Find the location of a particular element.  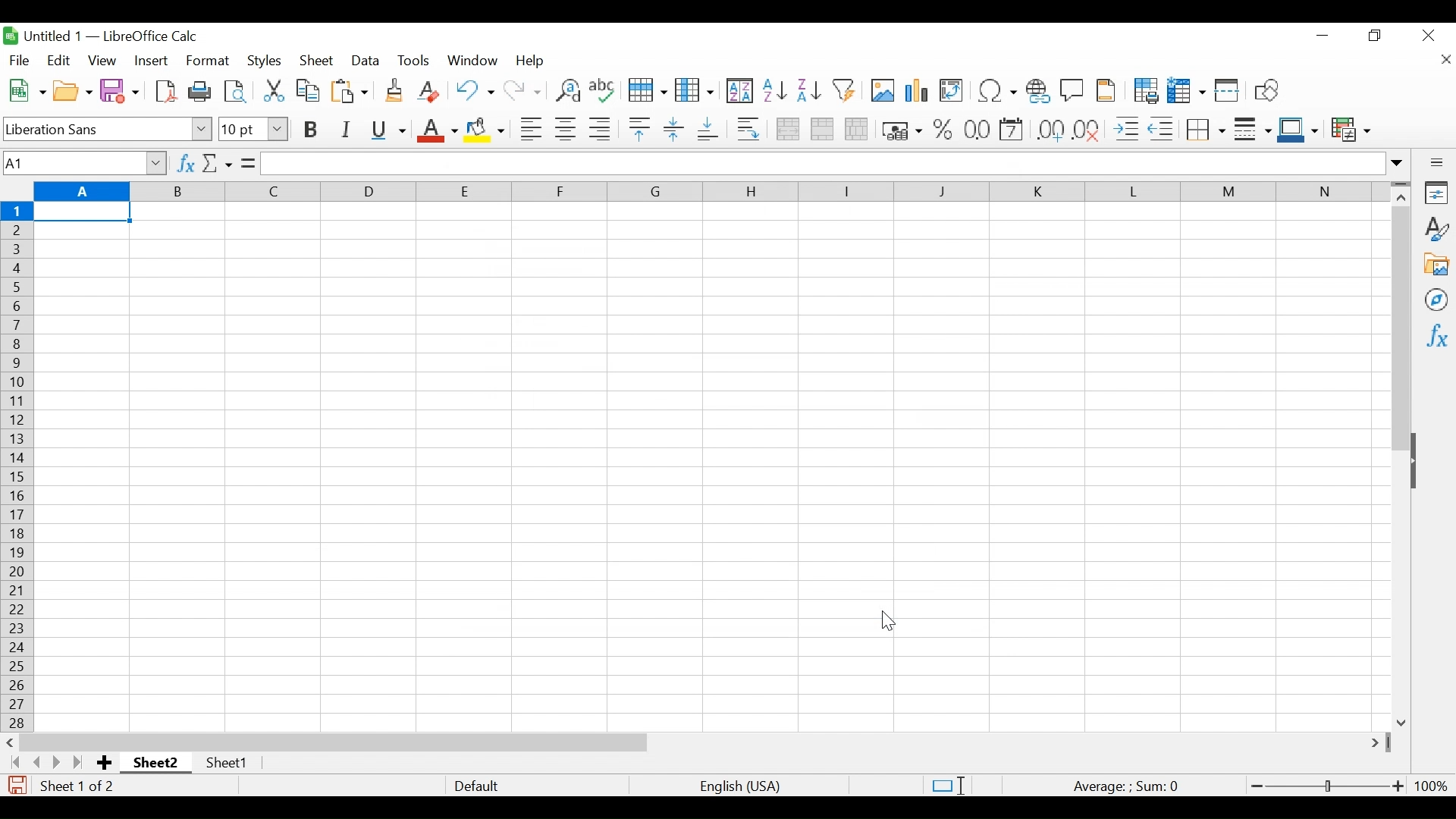

Align Bottom is located at coordinates (707, 130).